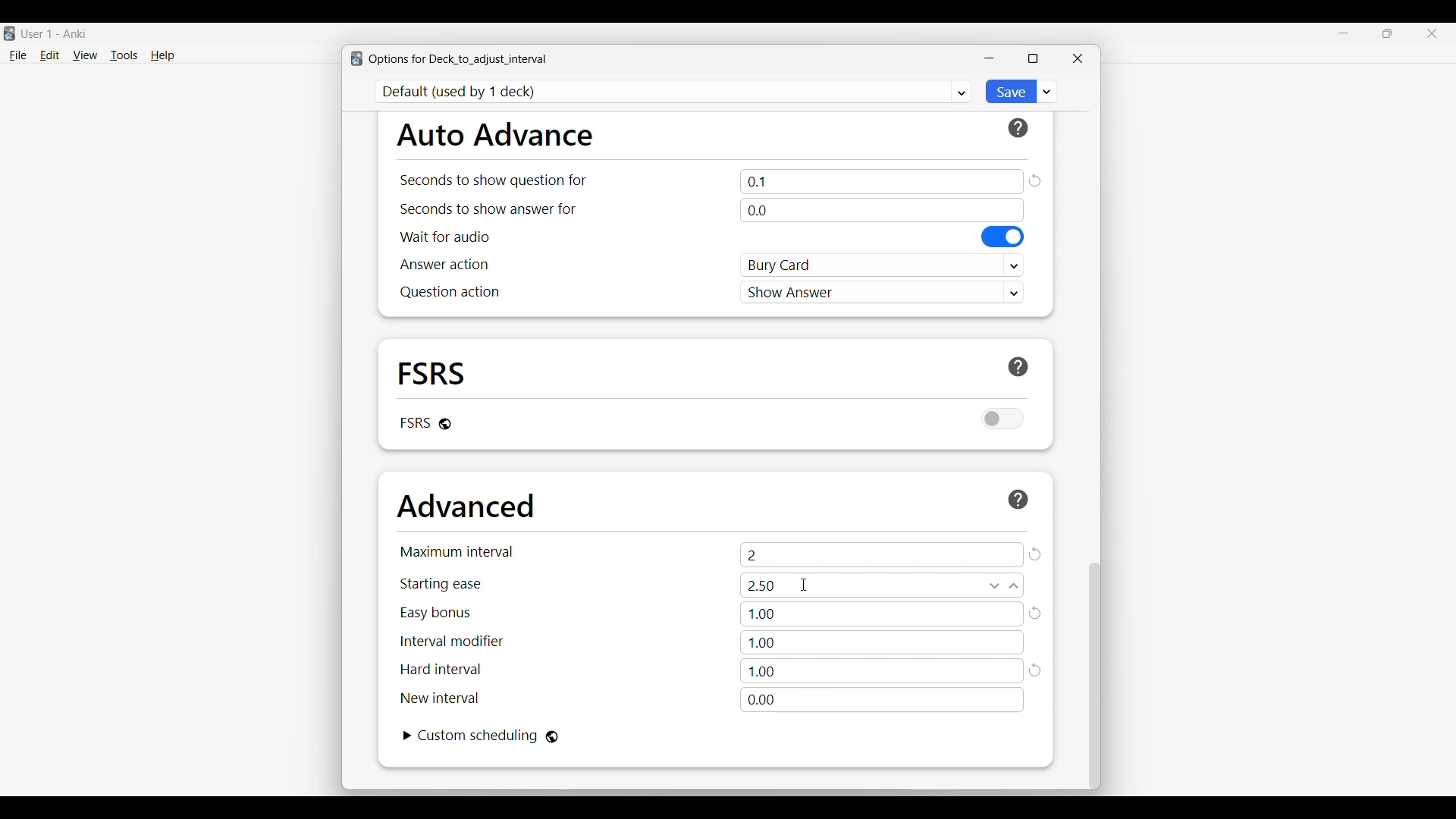  Describe the element at coordinates (442, 584) in the screenshot. I see `Indicates starting ease` at that location.